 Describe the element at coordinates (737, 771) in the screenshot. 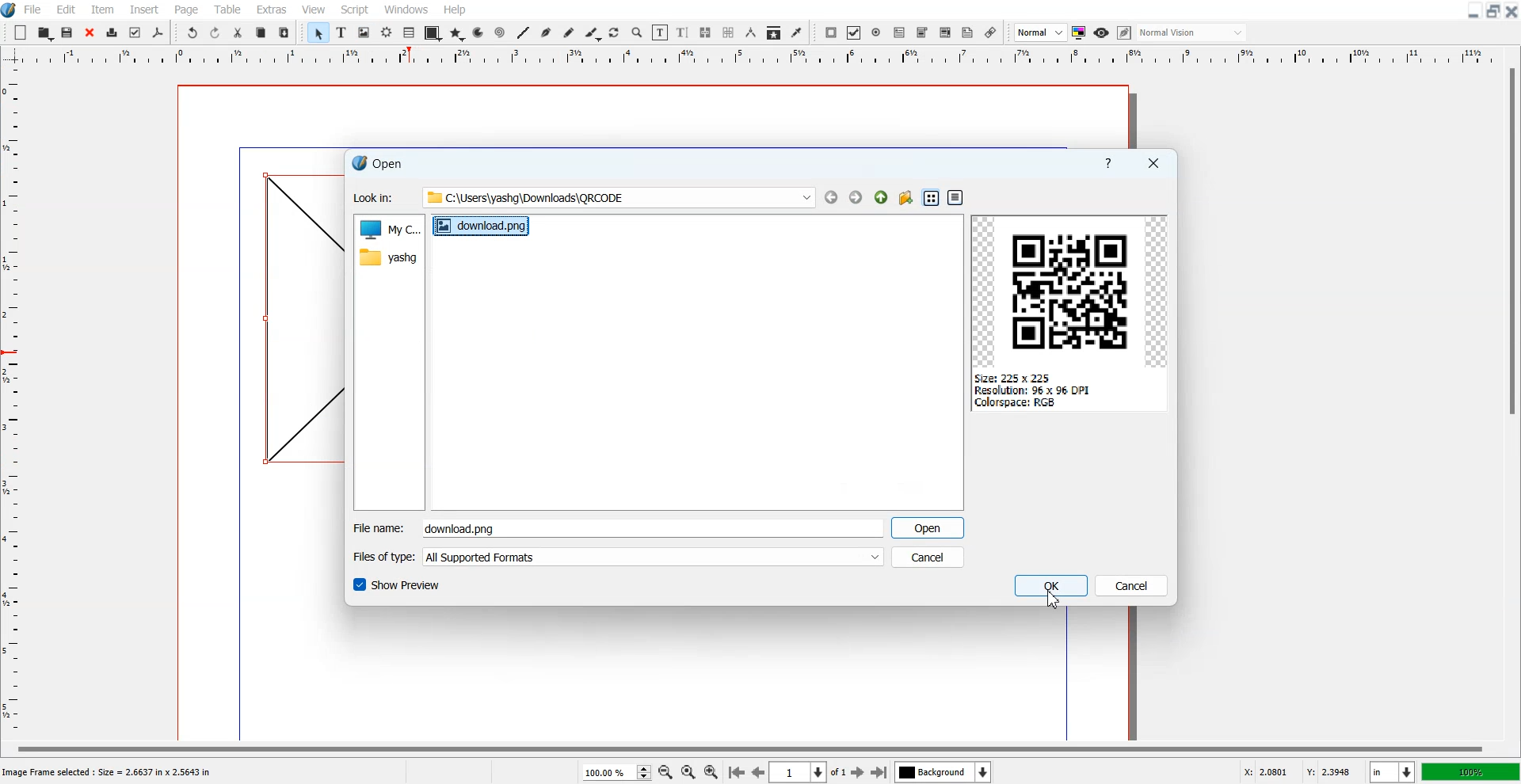

I see `Go to First page` at that location.